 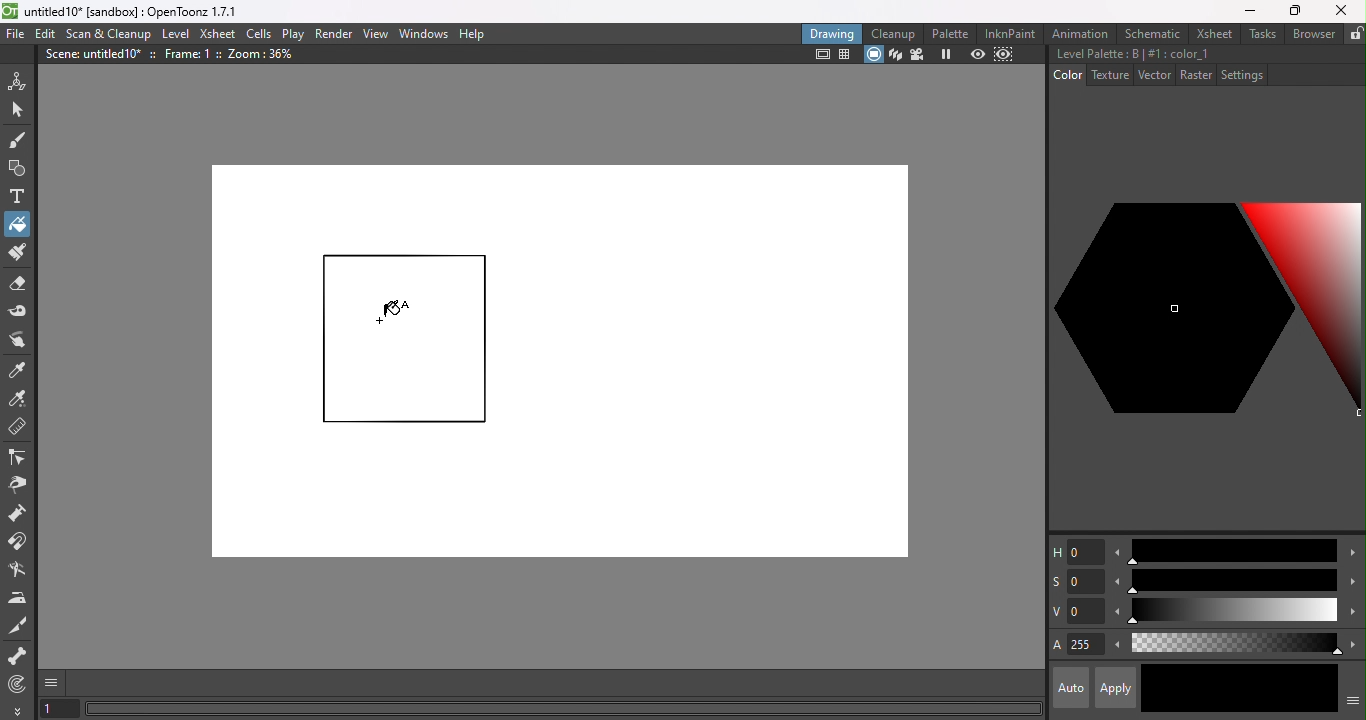 I want to click on Increase, so click(x=1351, y=580).